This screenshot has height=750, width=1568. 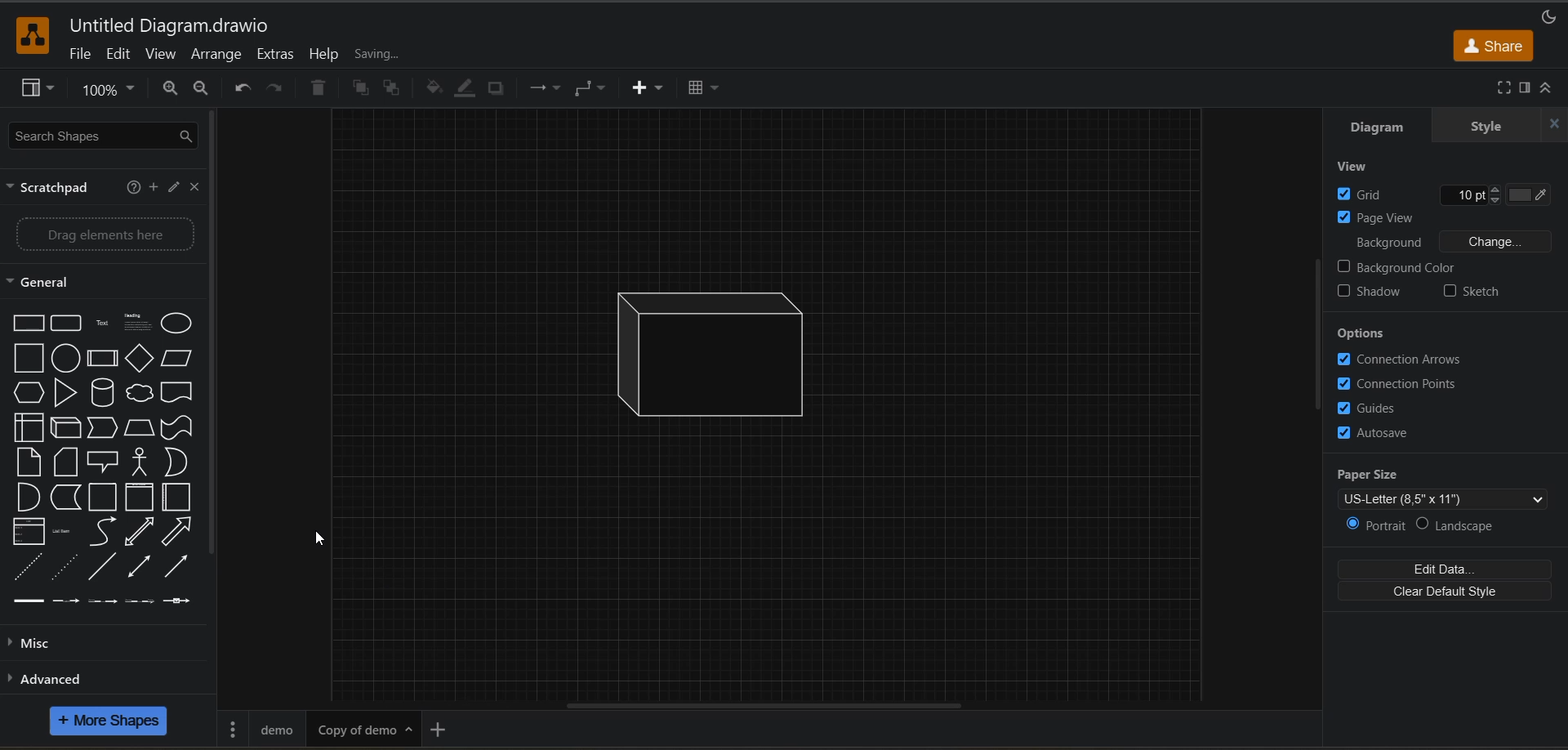 I want to click on view, so click(x=37, y=88).